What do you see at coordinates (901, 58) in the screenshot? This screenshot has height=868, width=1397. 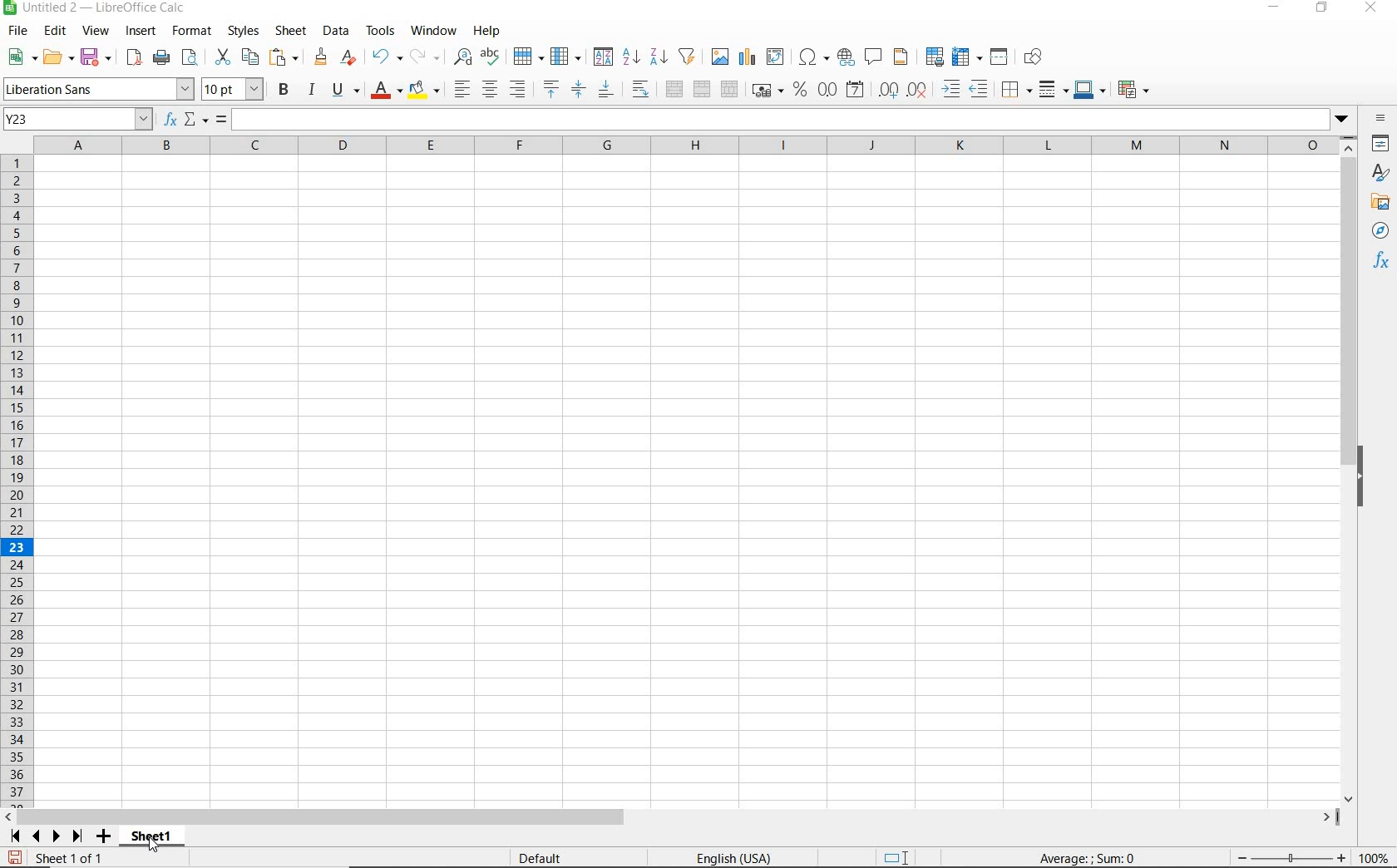 I see `HEADERS AND FOOTERS` at bounding box center [901, 58].